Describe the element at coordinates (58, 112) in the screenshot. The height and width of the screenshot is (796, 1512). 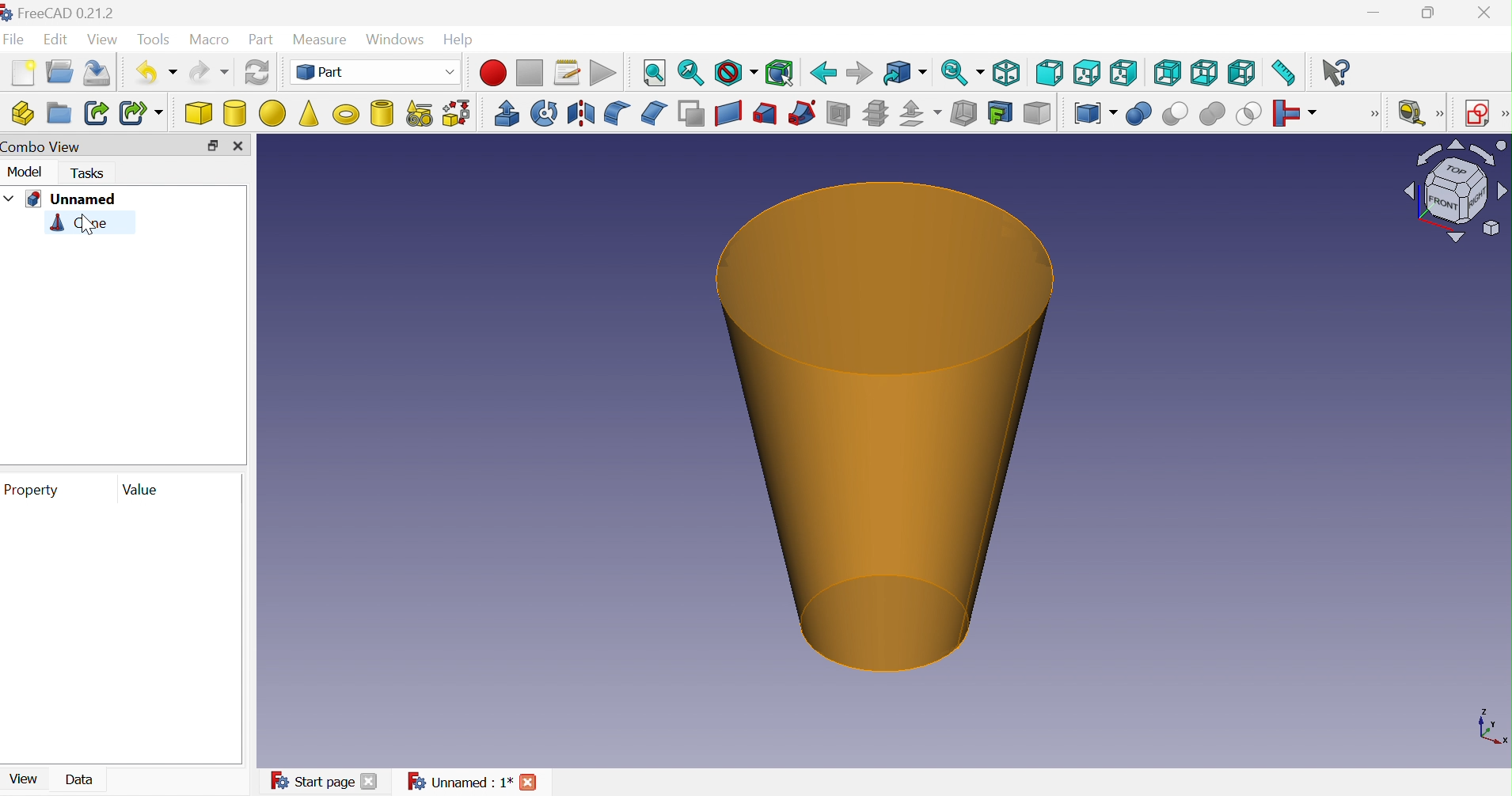
I see `Create group` at that location.